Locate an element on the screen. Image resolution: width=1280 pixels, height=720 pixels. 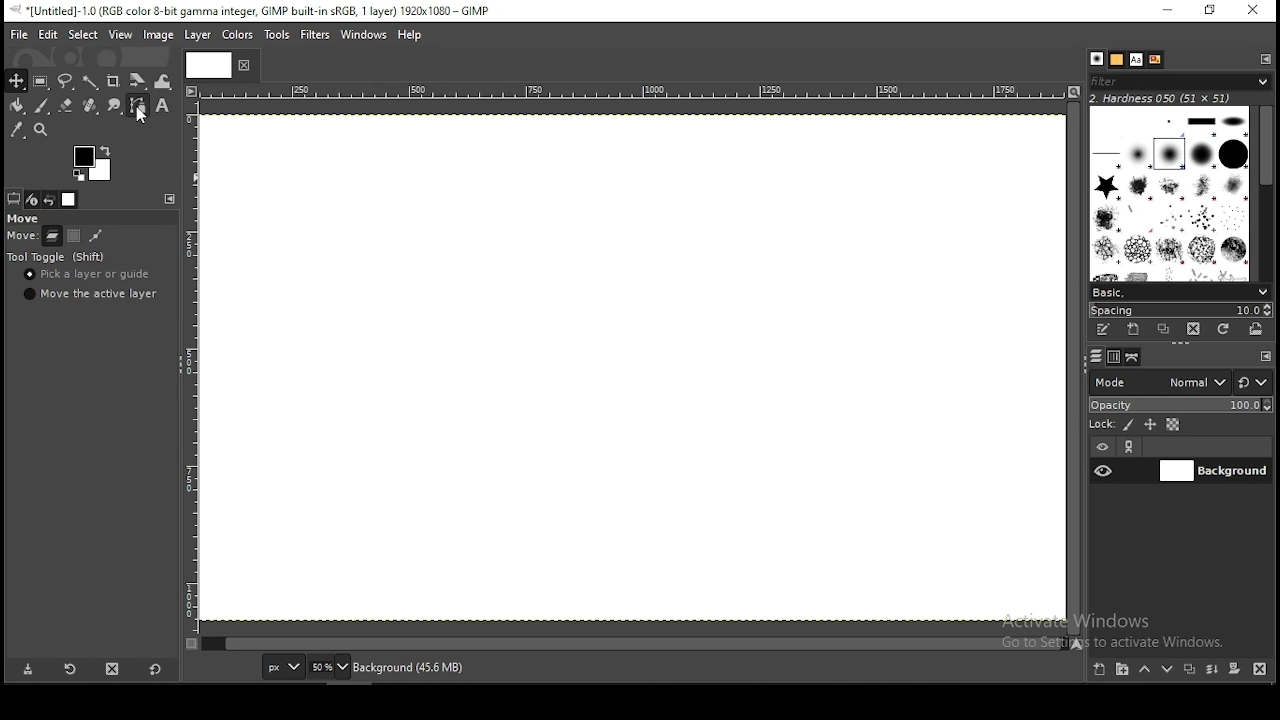
brushes is located at coordinates (1167, 193).